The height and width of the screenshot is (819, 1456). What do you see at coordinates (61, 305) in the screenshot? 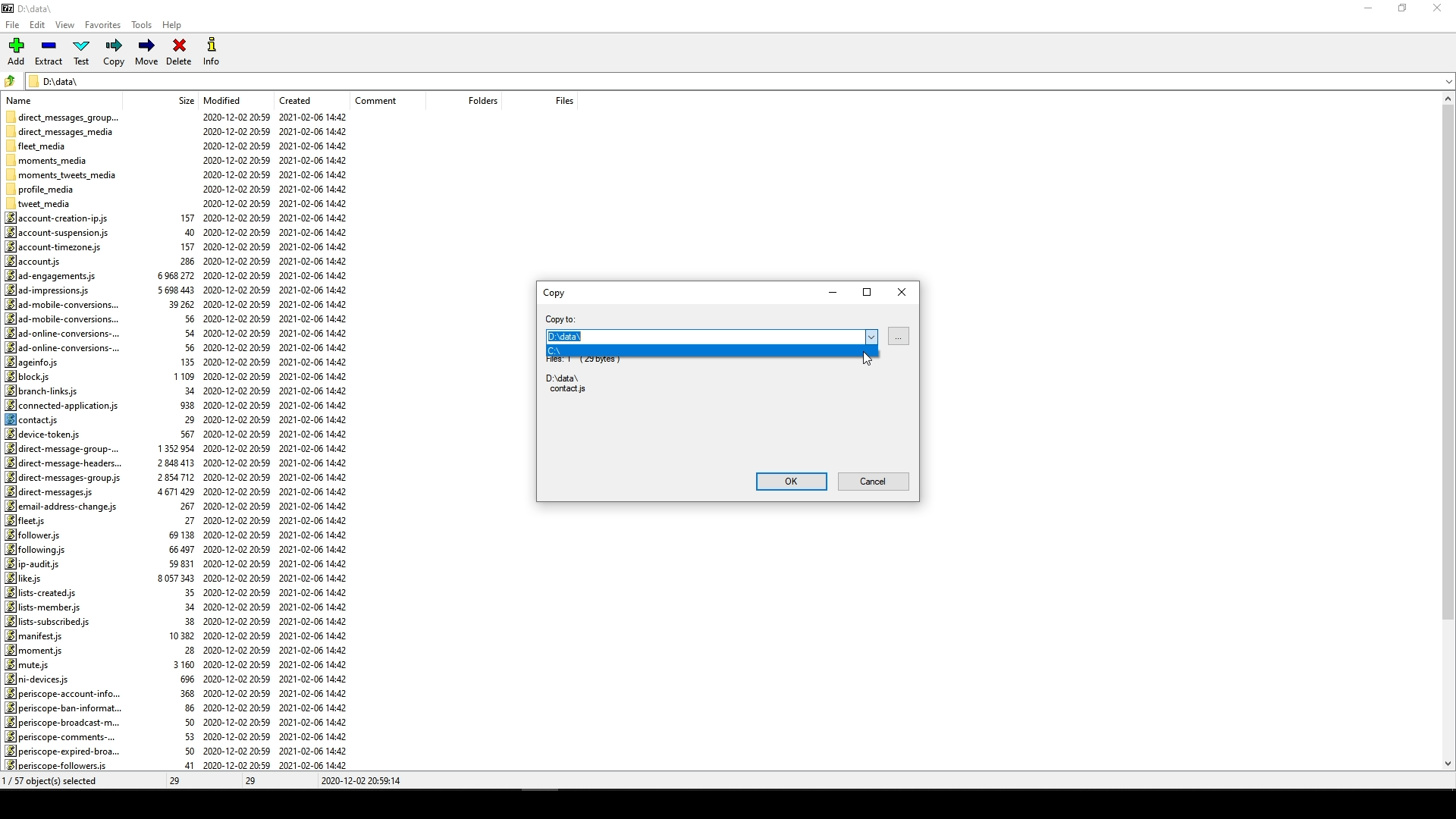
I see `ad-mobile-conversions` at bounding box center [61, 305].